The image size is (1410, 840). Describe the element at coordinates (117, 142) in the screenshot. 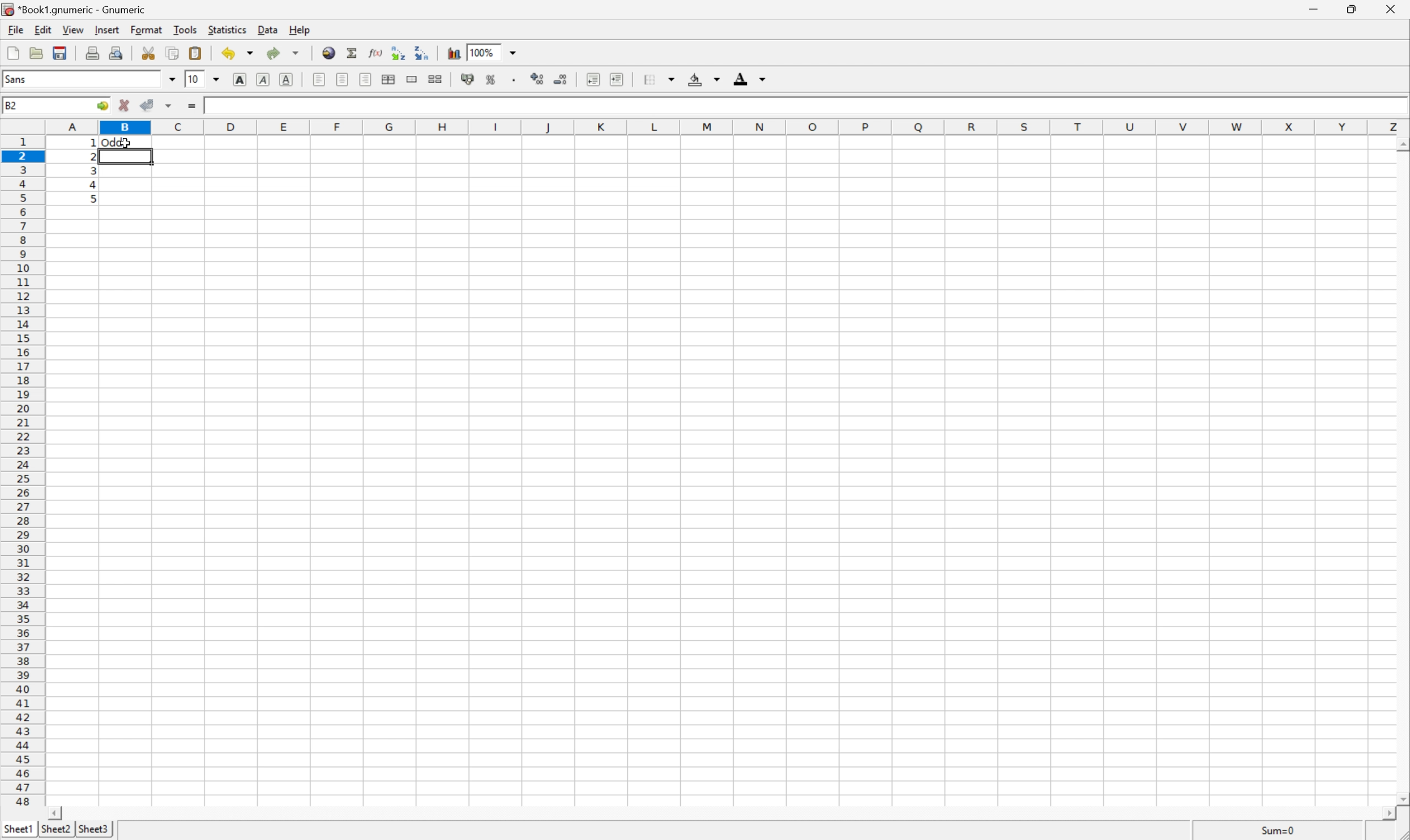

I see `Odd` at that location.